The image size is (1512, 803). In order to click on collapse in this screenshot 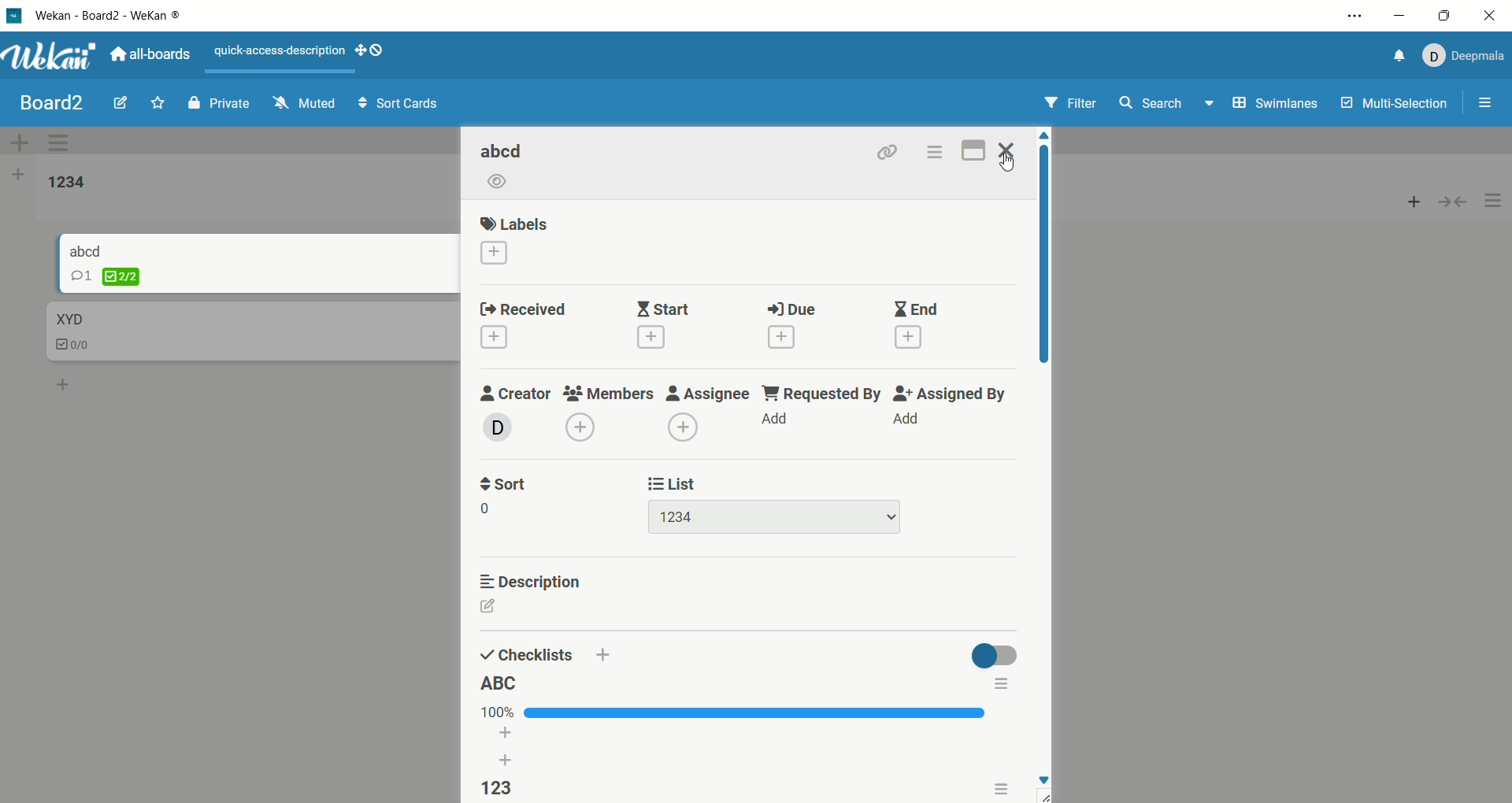, I will do `click(1454, 203)`.